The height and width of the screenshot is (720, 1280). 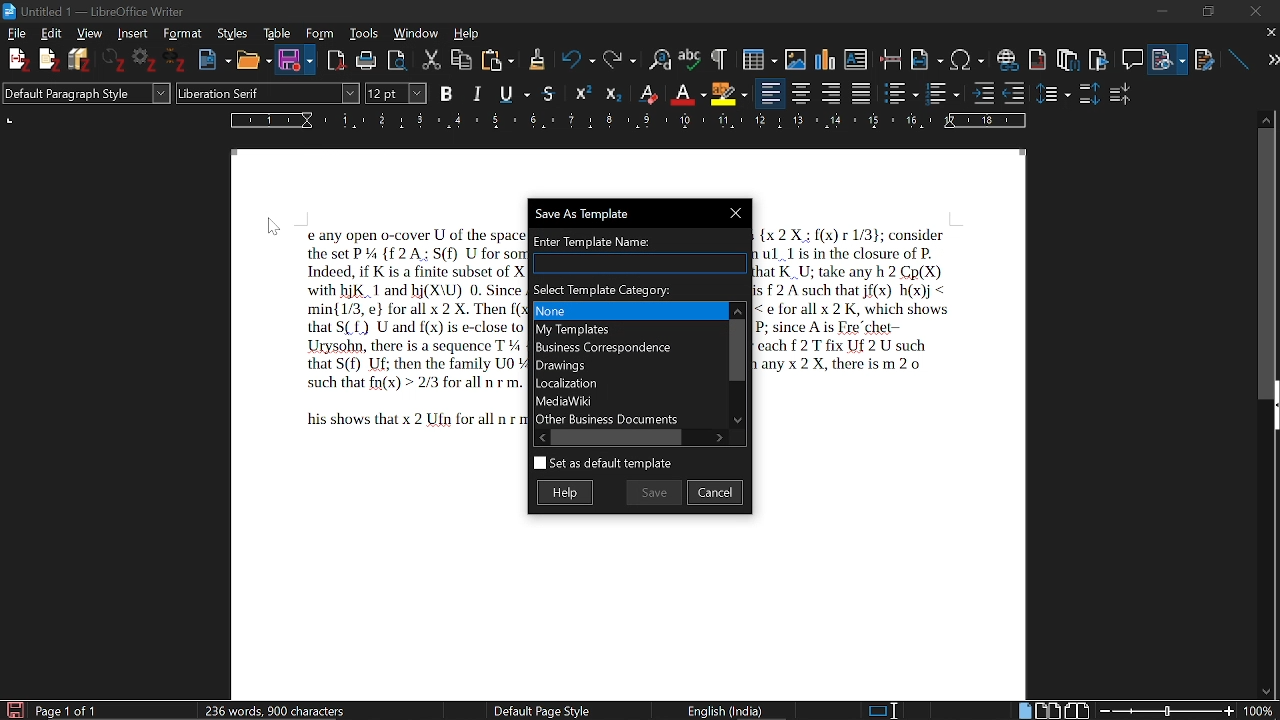 I want to click on Save Files, so click(x=82, y=60).